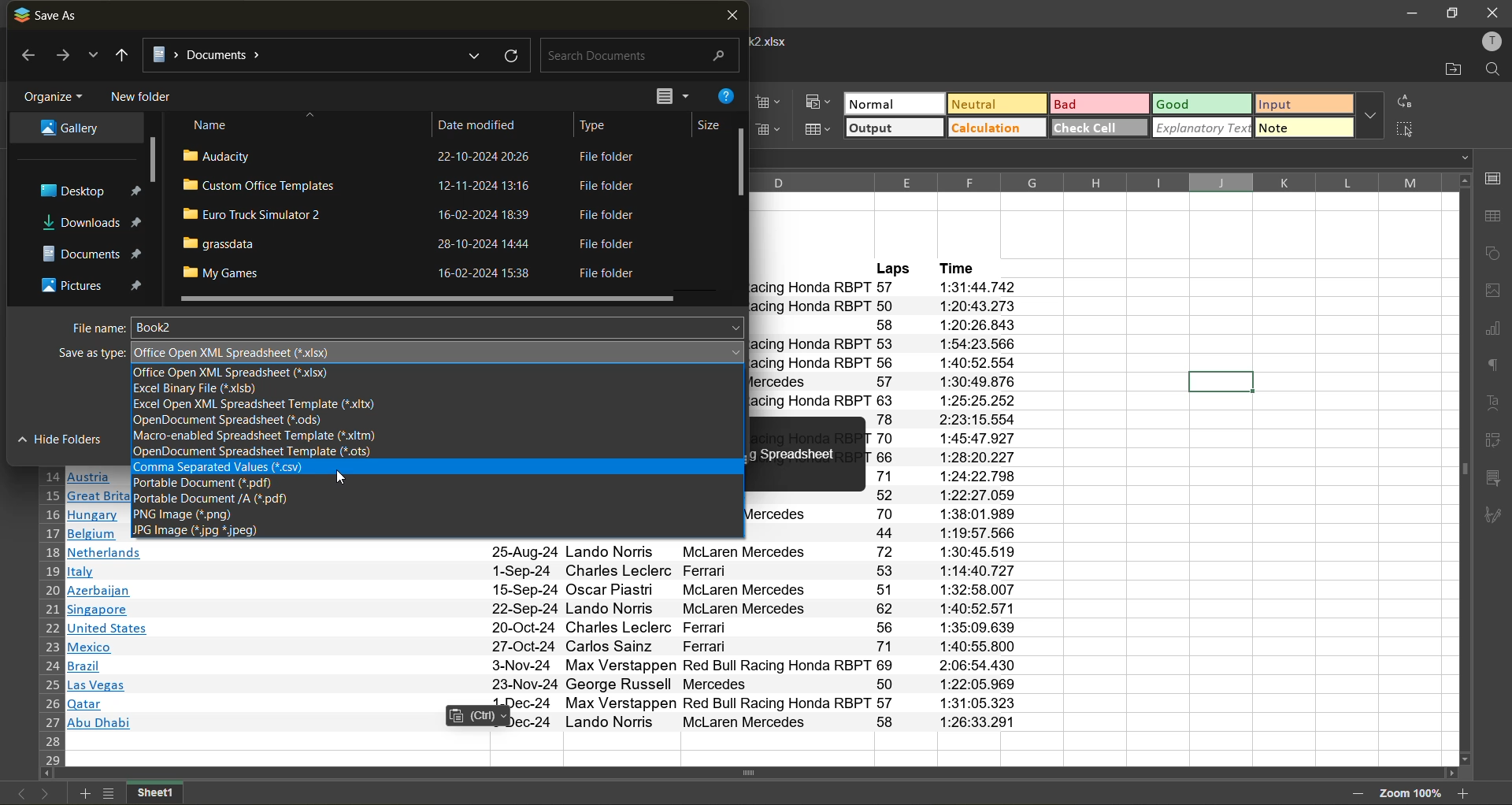 The width and height of the screenshot is (1512, 805). What do you see at coordinates (1466, 759) in the screenshot?
I see `move down` at bounding box center [1466, 759].